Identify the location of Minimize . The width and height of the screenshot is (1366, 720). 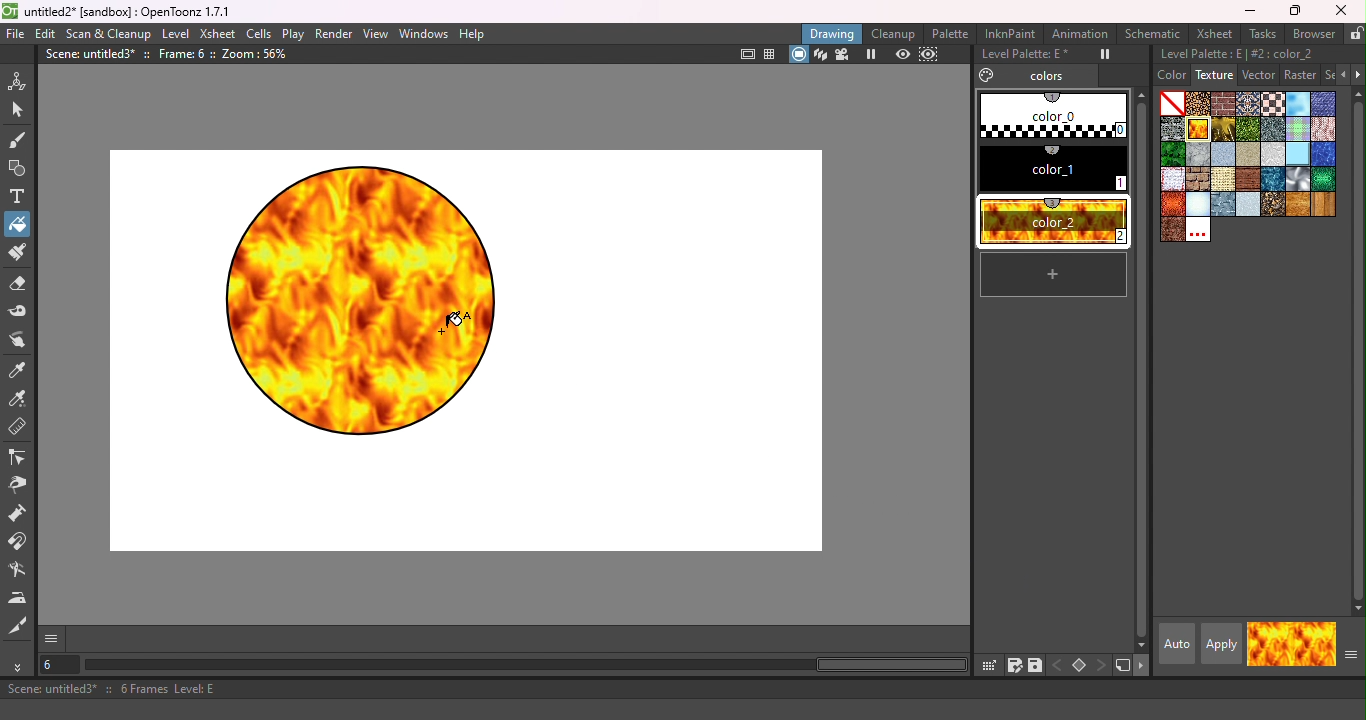
(1247, 10).